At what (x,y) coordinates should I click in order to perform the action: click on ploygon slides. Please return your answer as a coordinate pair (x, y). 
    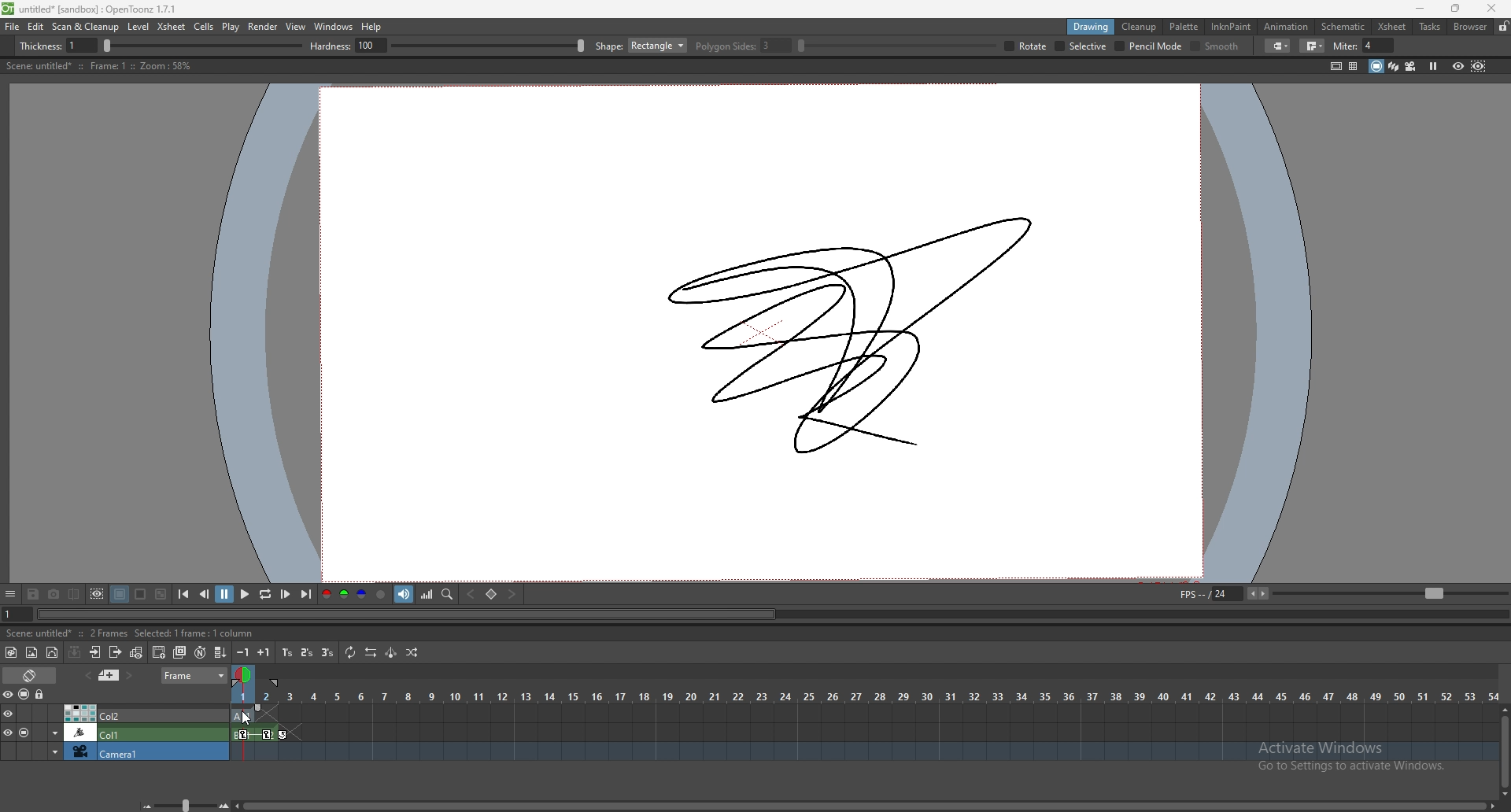
    Looking at the image, I should click on (742, 46).